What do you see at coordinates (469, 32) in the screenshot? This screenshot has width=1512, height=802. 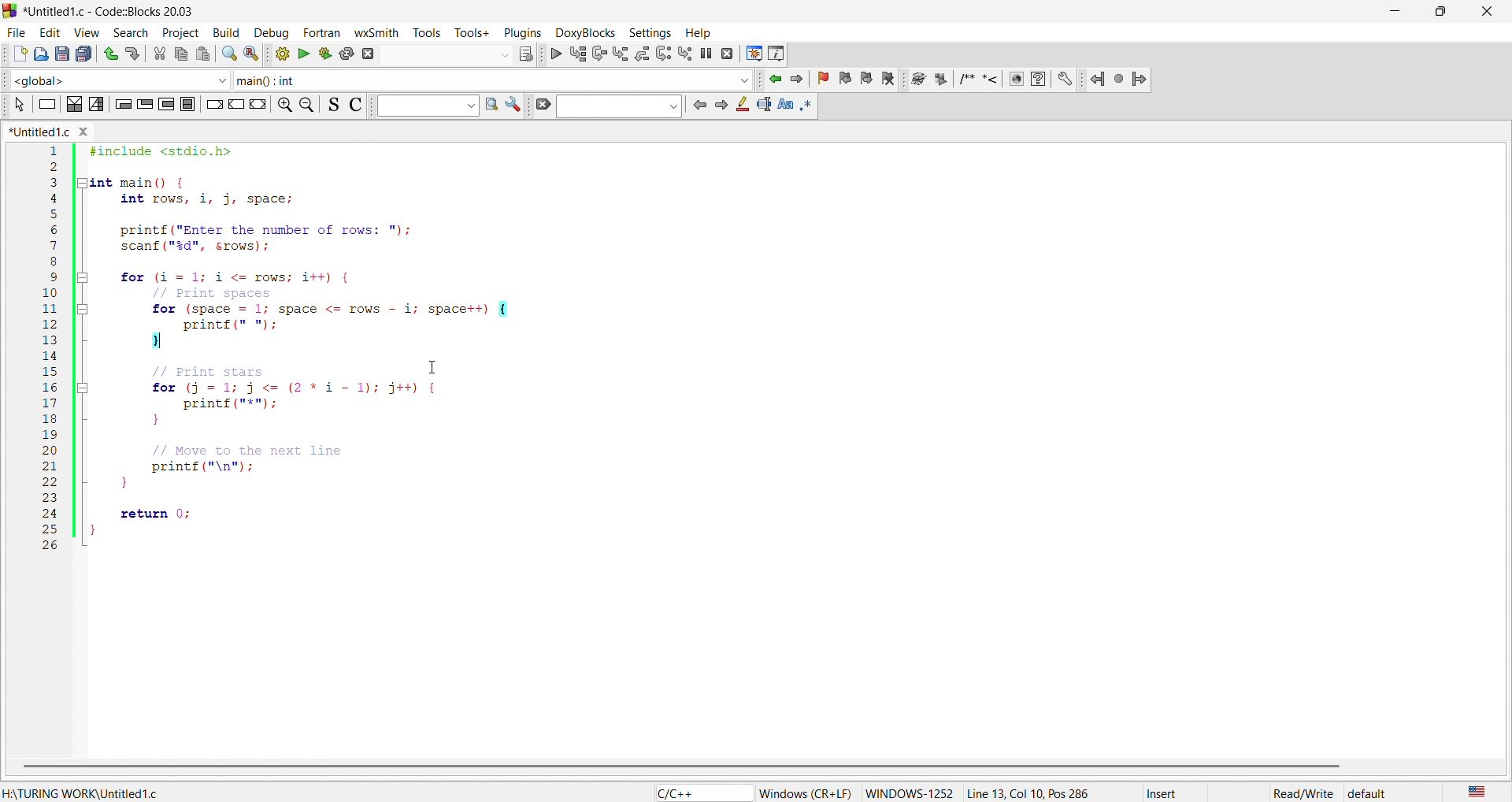 I see `tools+` at bounding box center [469, 32].